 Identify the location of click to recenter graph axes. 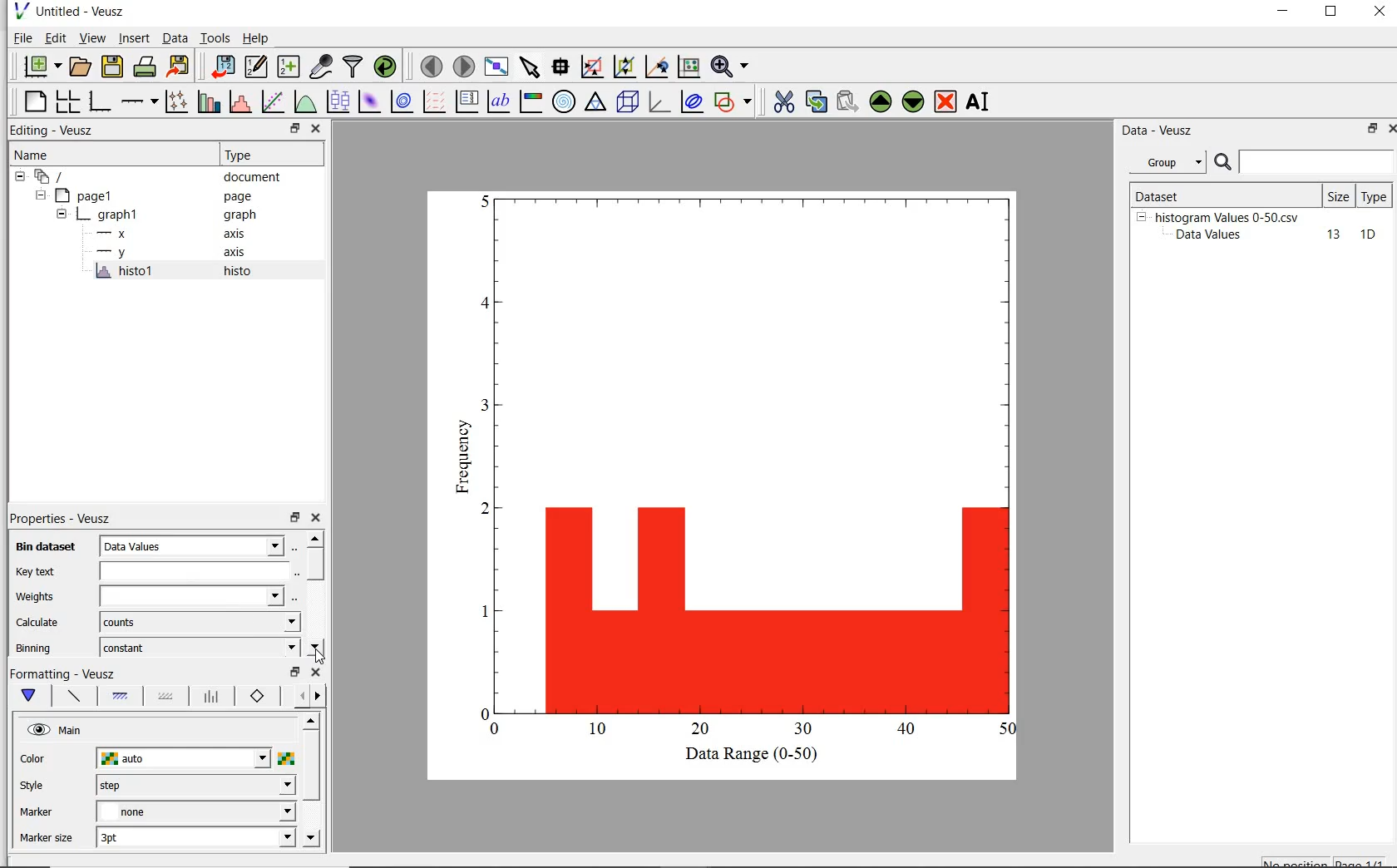
(688, 67).